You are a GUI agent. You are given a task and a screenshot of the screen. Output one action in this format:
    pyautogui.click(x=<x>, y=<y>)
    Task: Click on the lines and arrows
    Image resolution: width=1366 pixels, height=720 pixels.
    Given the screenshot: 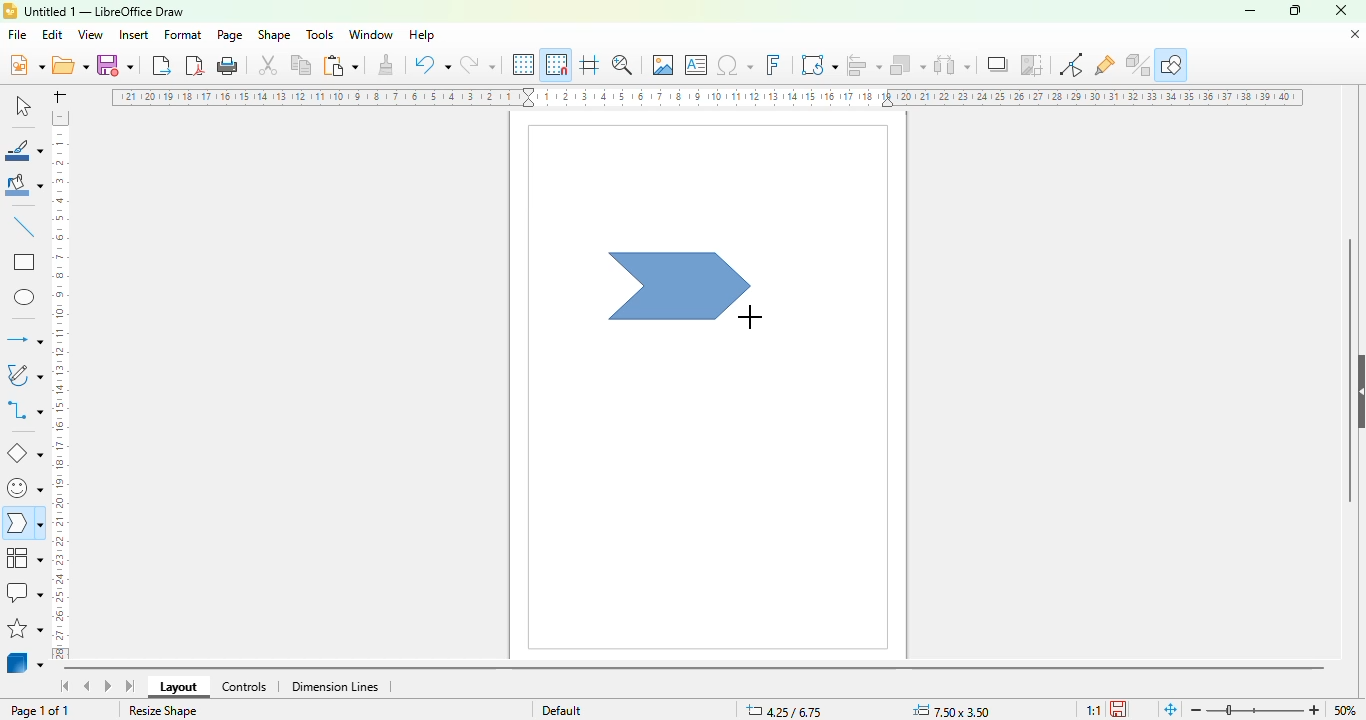 What is the action you would take?
    pyautogui.click(x=24, y=339)
    